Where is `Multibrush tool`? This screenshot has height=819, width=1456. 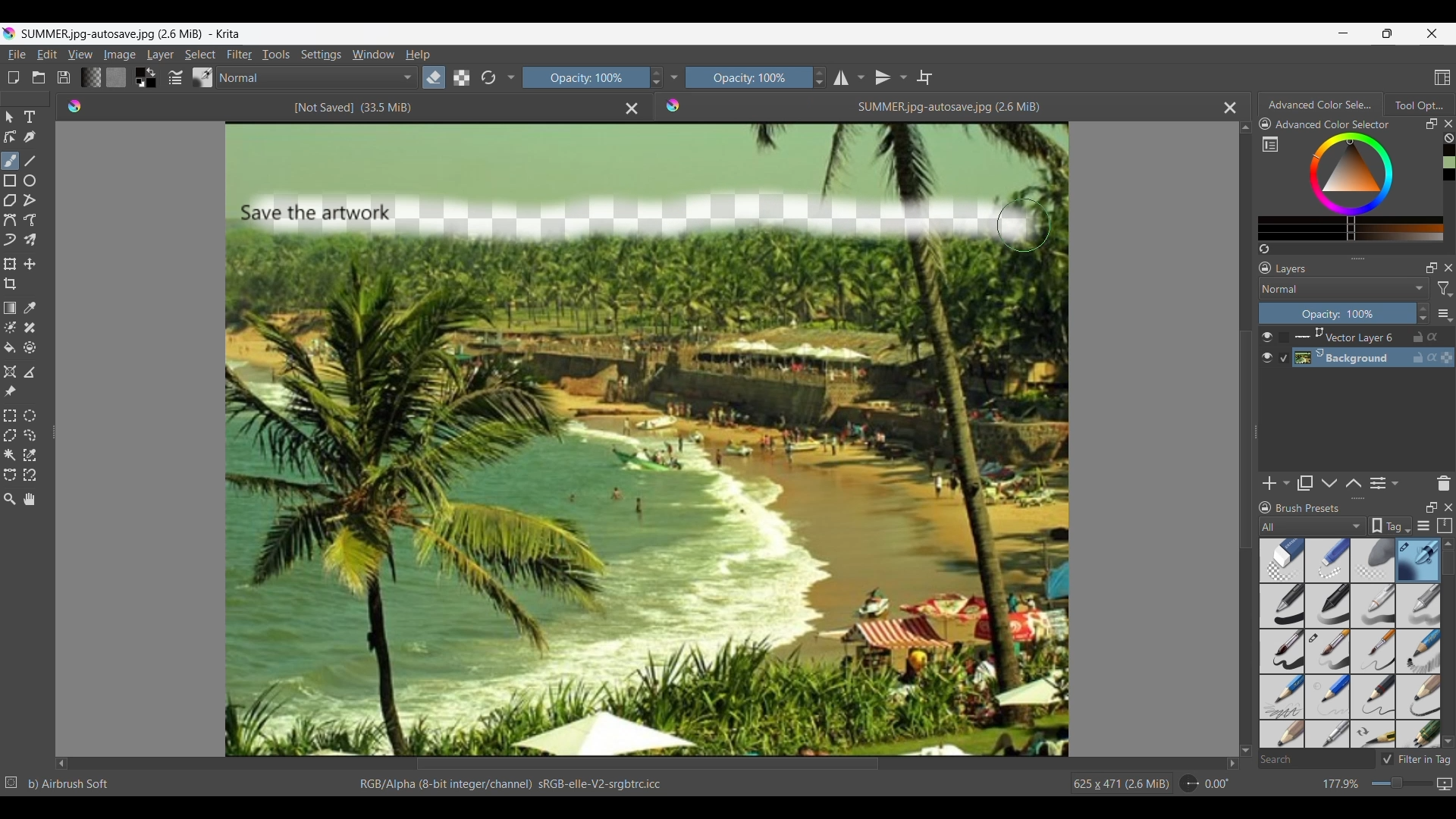 Multibrush tool is located at coordinates (30, 240).